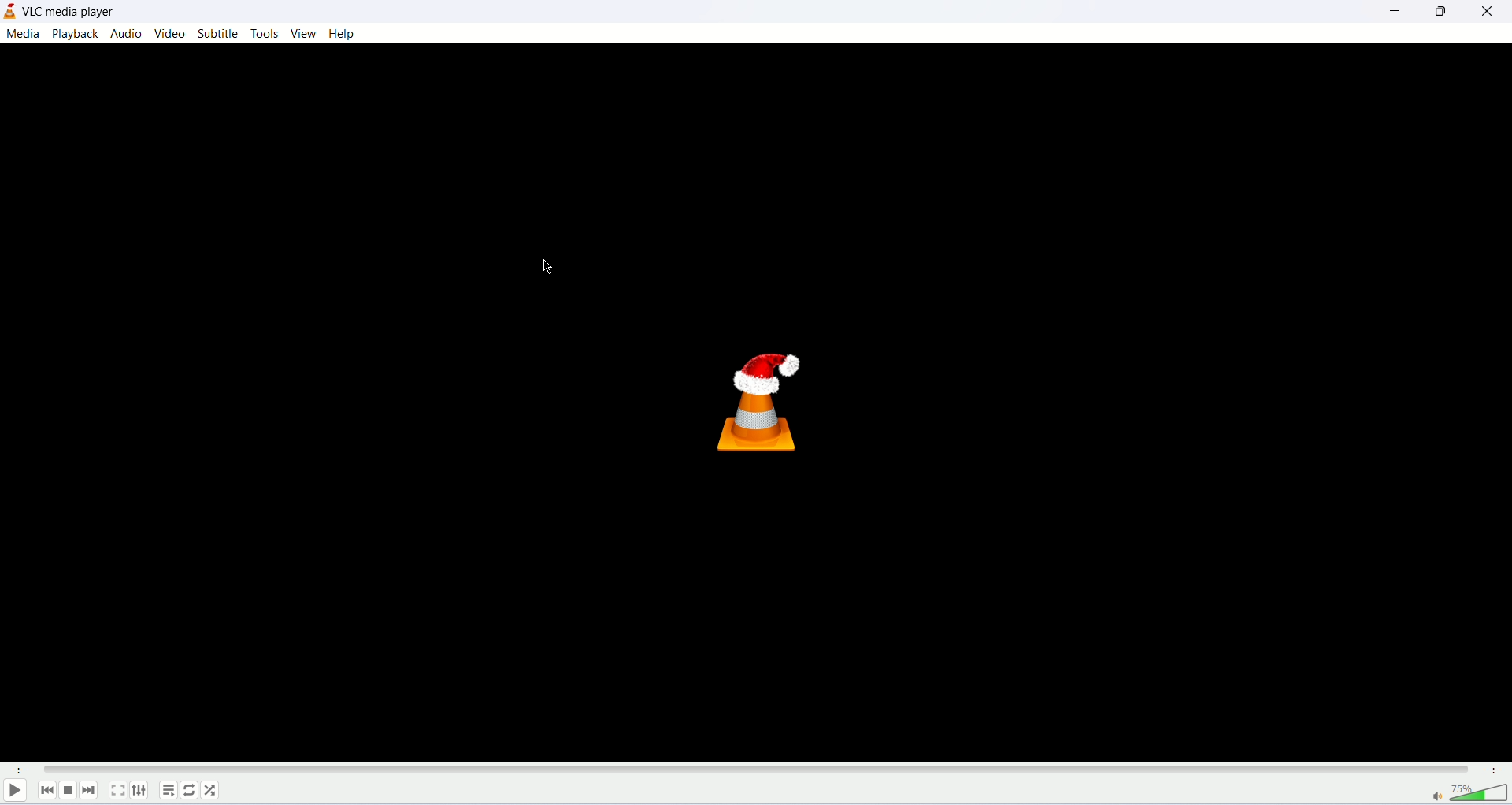  I want to click on media, so click(23, 34).